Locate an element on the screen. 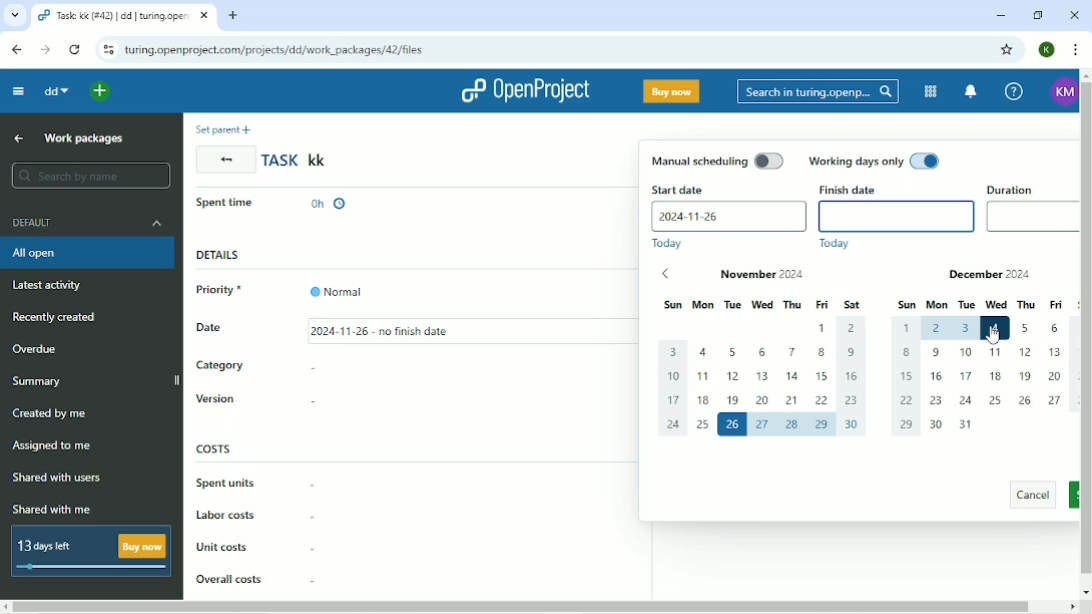  sun mon tue wed thu fri sat is located at coordinates (762, 303).